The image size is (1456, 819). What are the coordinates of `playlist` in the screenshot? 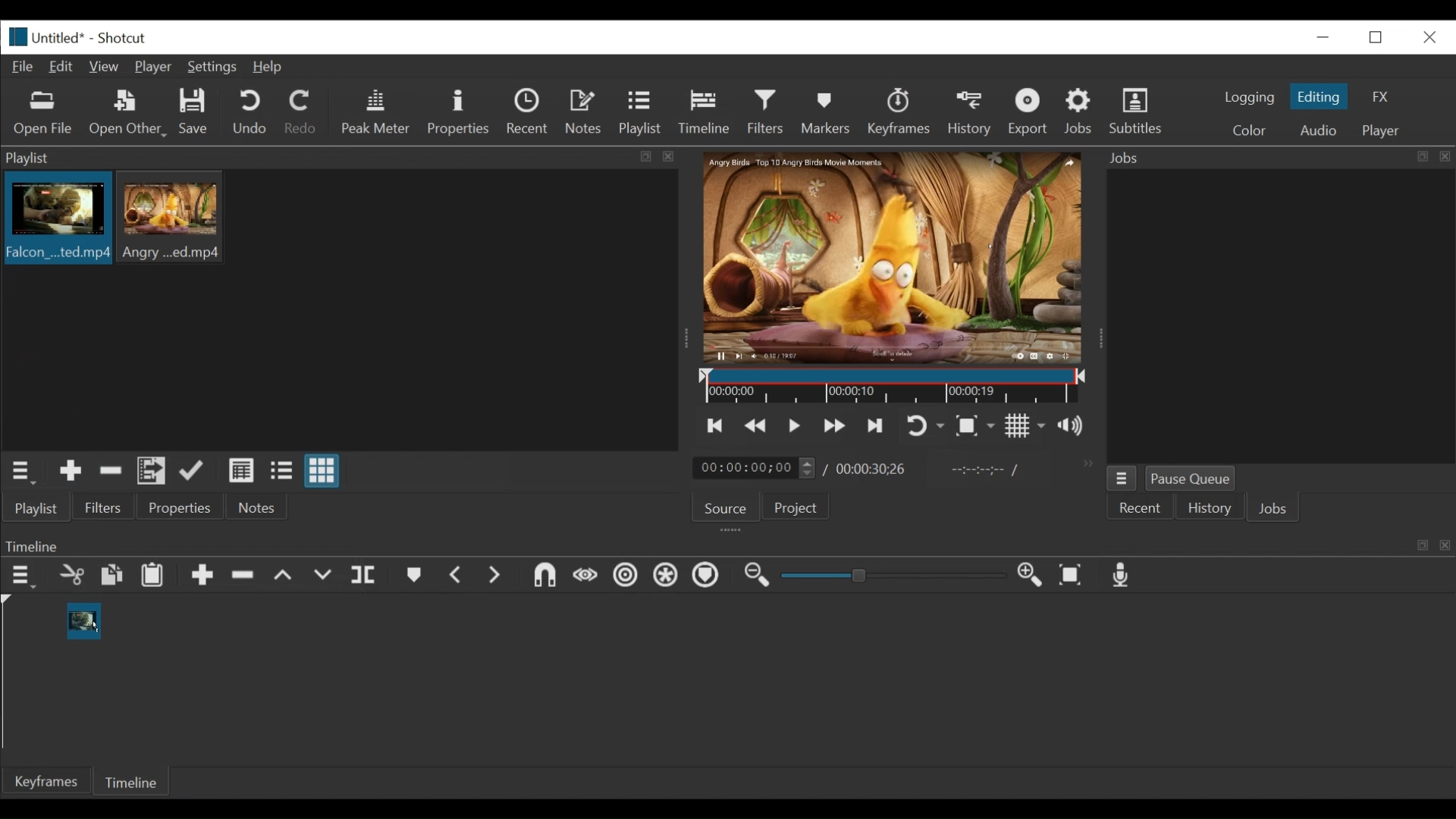 It's located at (35, 508).